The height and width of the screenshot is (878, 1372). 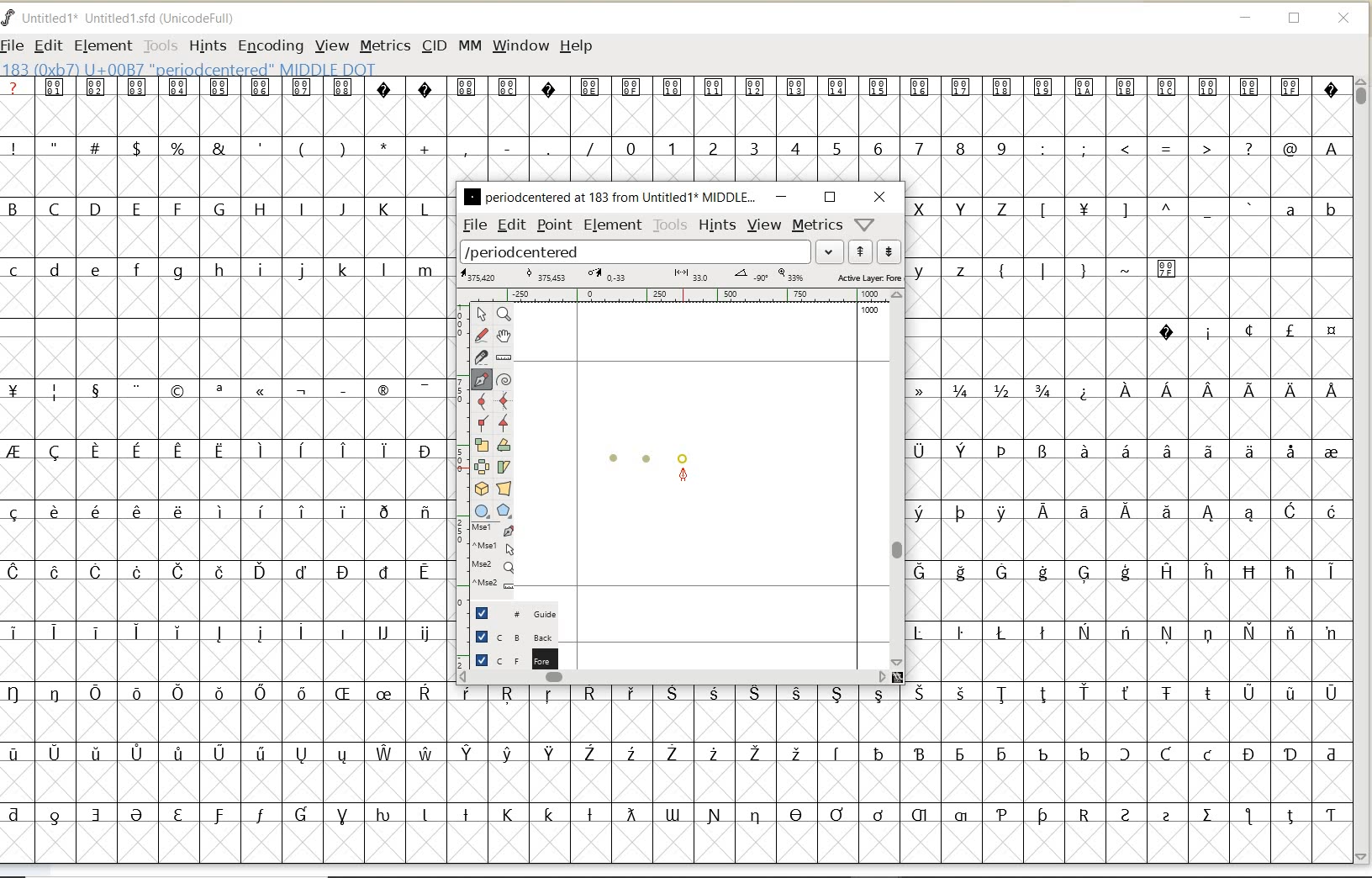 What do you see at coordinates (219, 601) in the screenshot?
I see `special characters` at bounding box center [219, 601].